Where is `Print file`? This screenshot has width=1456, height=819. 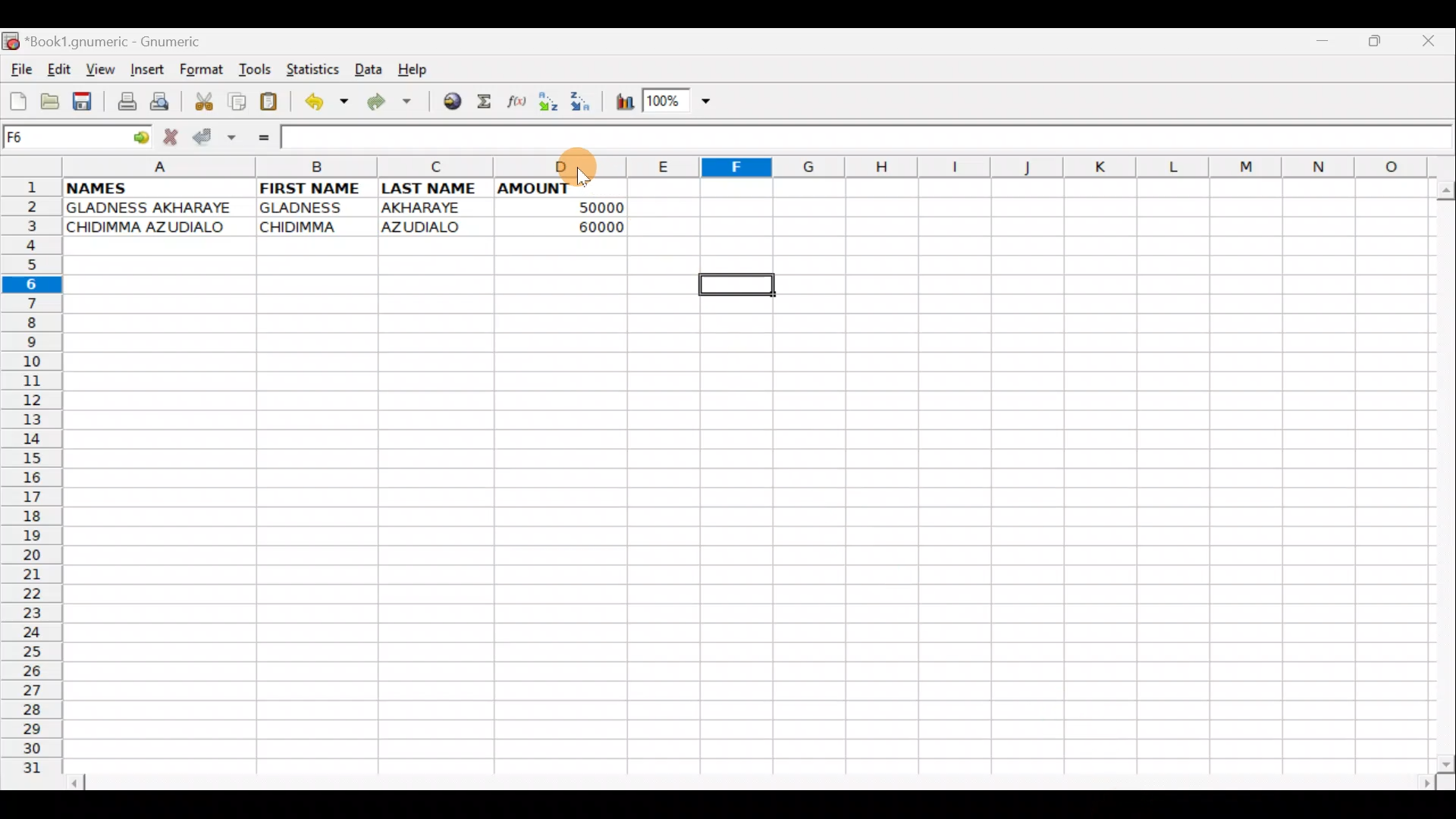
Print file is located at coordinates (121, 100).